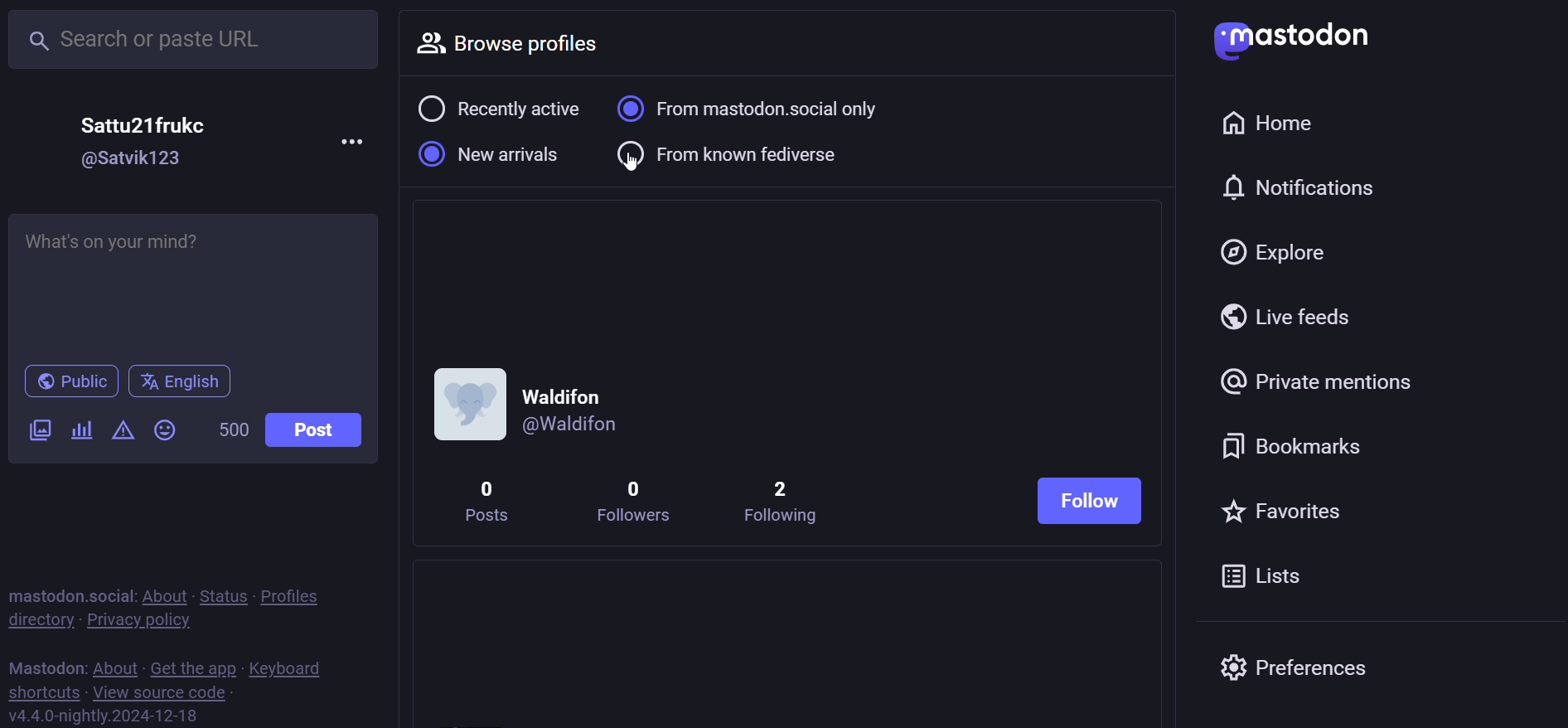 The height and width of the screenshot is (728, 1568). I want to click on about, so click(165, 595).